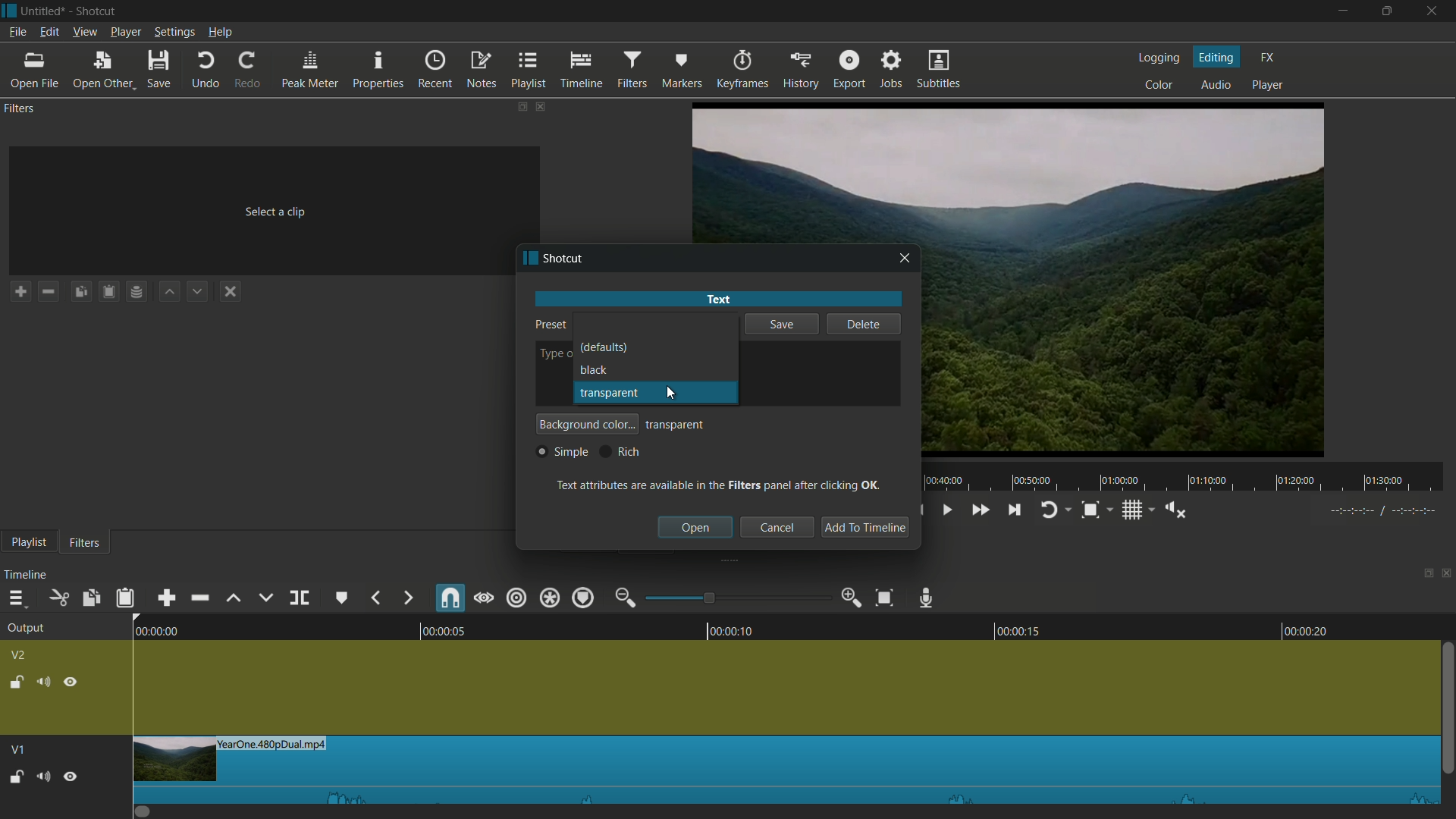 The image size is (1456, 819). I want to click on Pause, so click(71, 775).